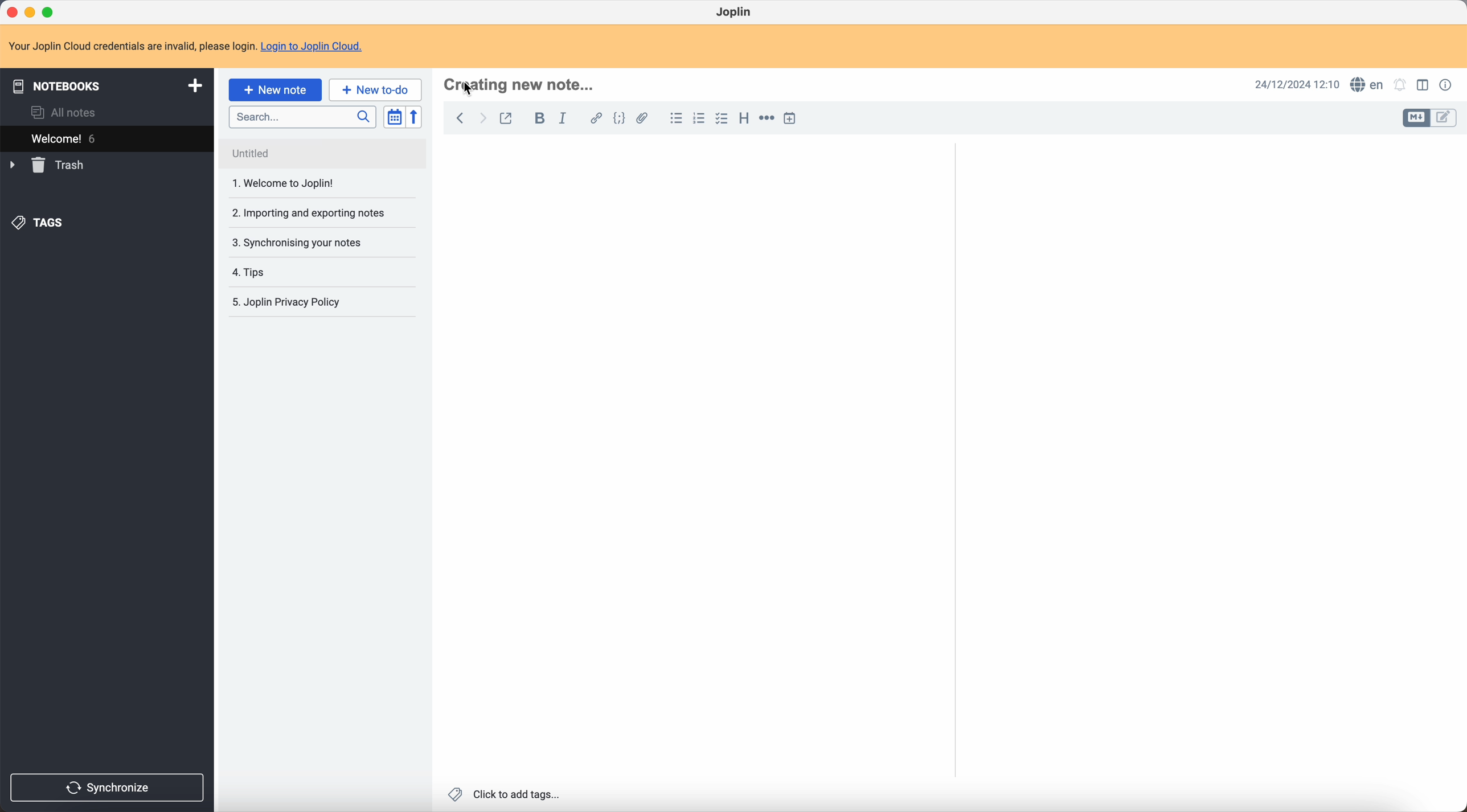 Image resolution: width=1467 pixels, height=812 pixels. What do you see at coordinates (1447, 85) in the screenshot?
I see `note properties` at bounding box center [1447, 85].